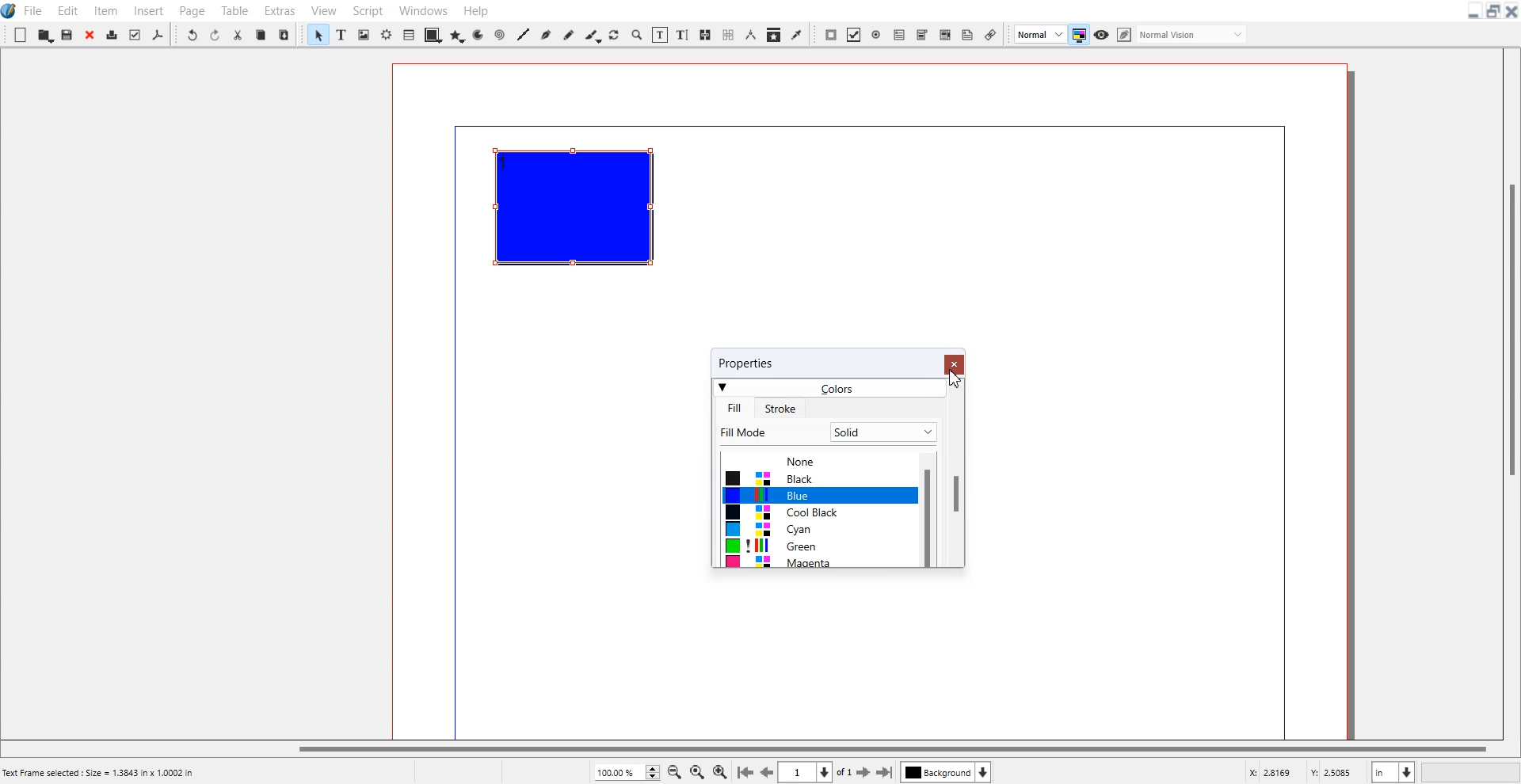 The height and width of the screenshot is (784, 1521). What do you see at coordinates (1183, 33) in the screenshot?
I see `Edit in preview mode` at bounding box center [1183, 33].